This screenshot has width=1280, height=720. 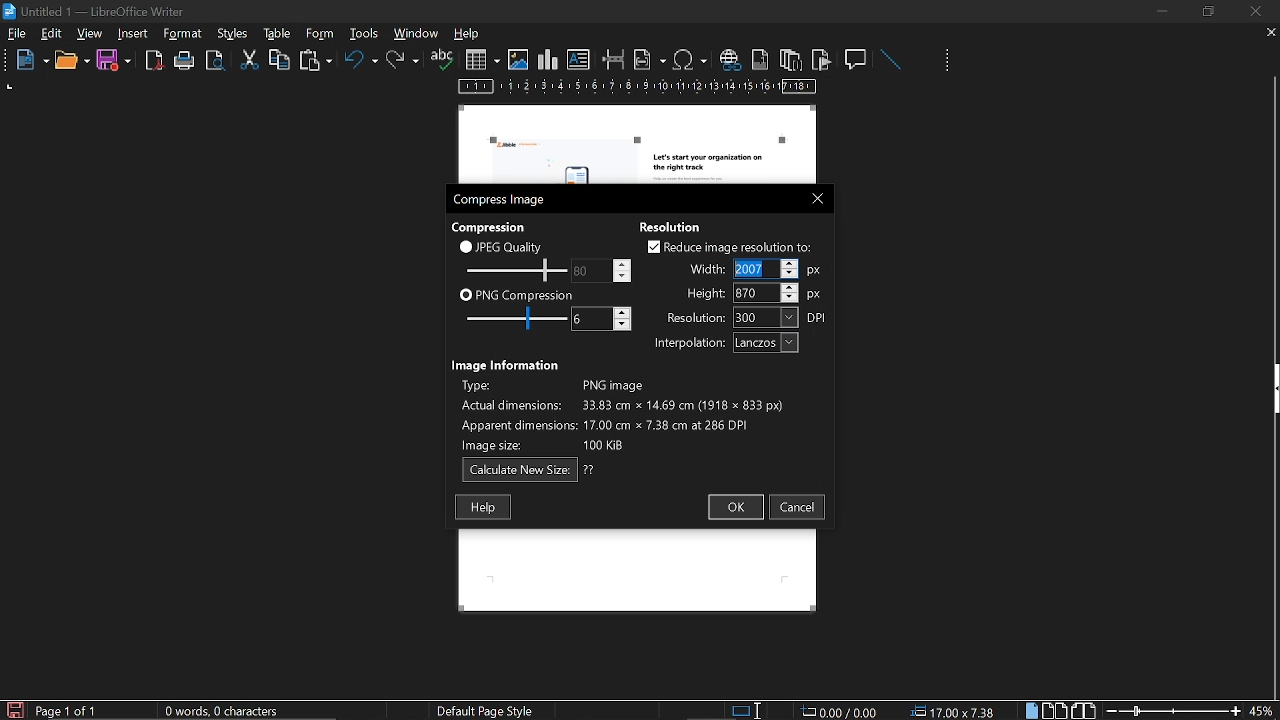 I want to click on change zoom, so click(x=1173, y=710).